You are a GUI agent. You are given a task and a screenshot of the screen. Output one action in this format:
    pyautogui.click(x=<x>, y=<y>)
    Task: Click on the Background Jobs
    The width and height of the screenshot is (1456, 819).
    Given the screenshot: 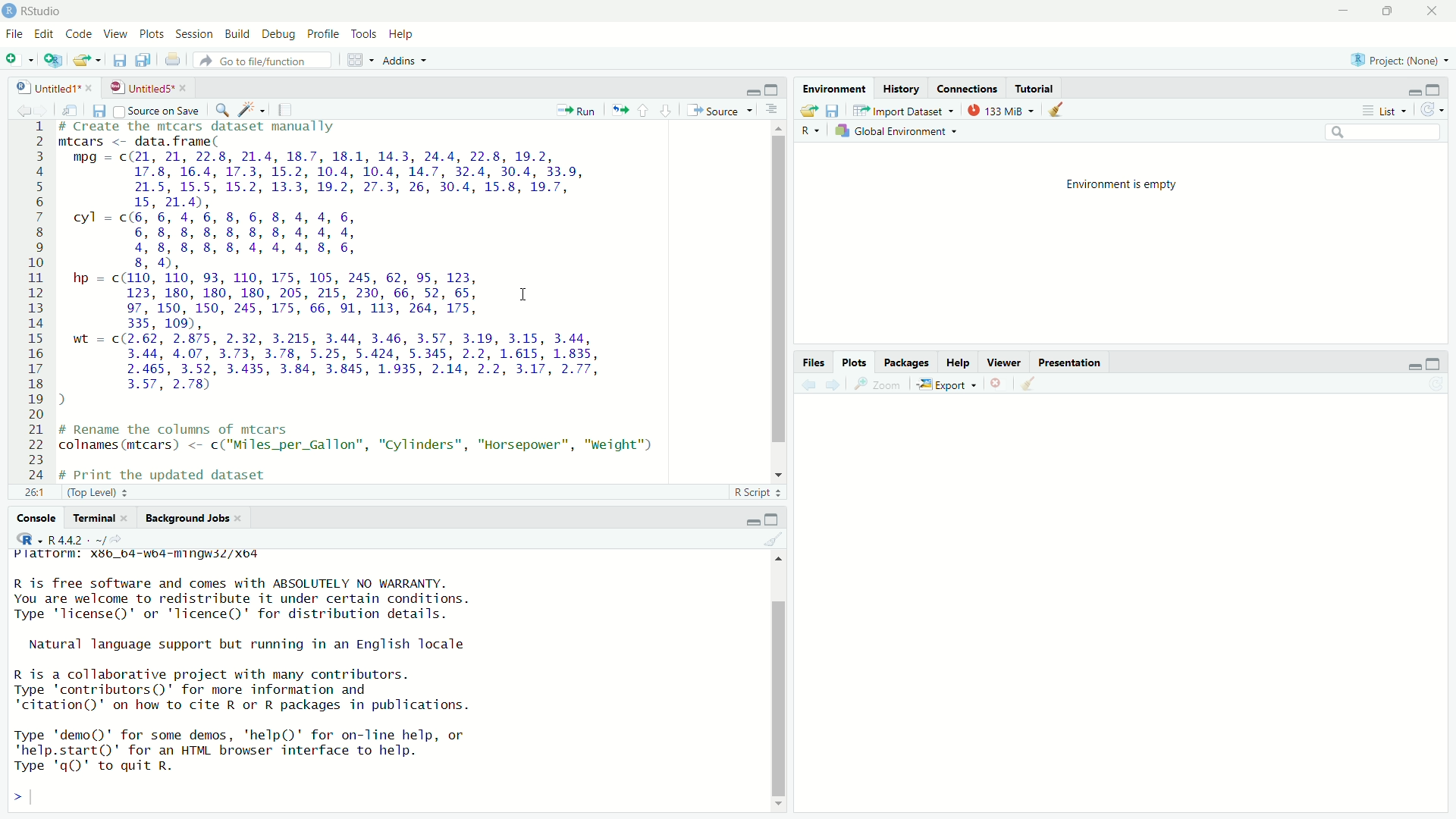 What is the action you would take?
    pyautogui.click(x=193, y=517)
    